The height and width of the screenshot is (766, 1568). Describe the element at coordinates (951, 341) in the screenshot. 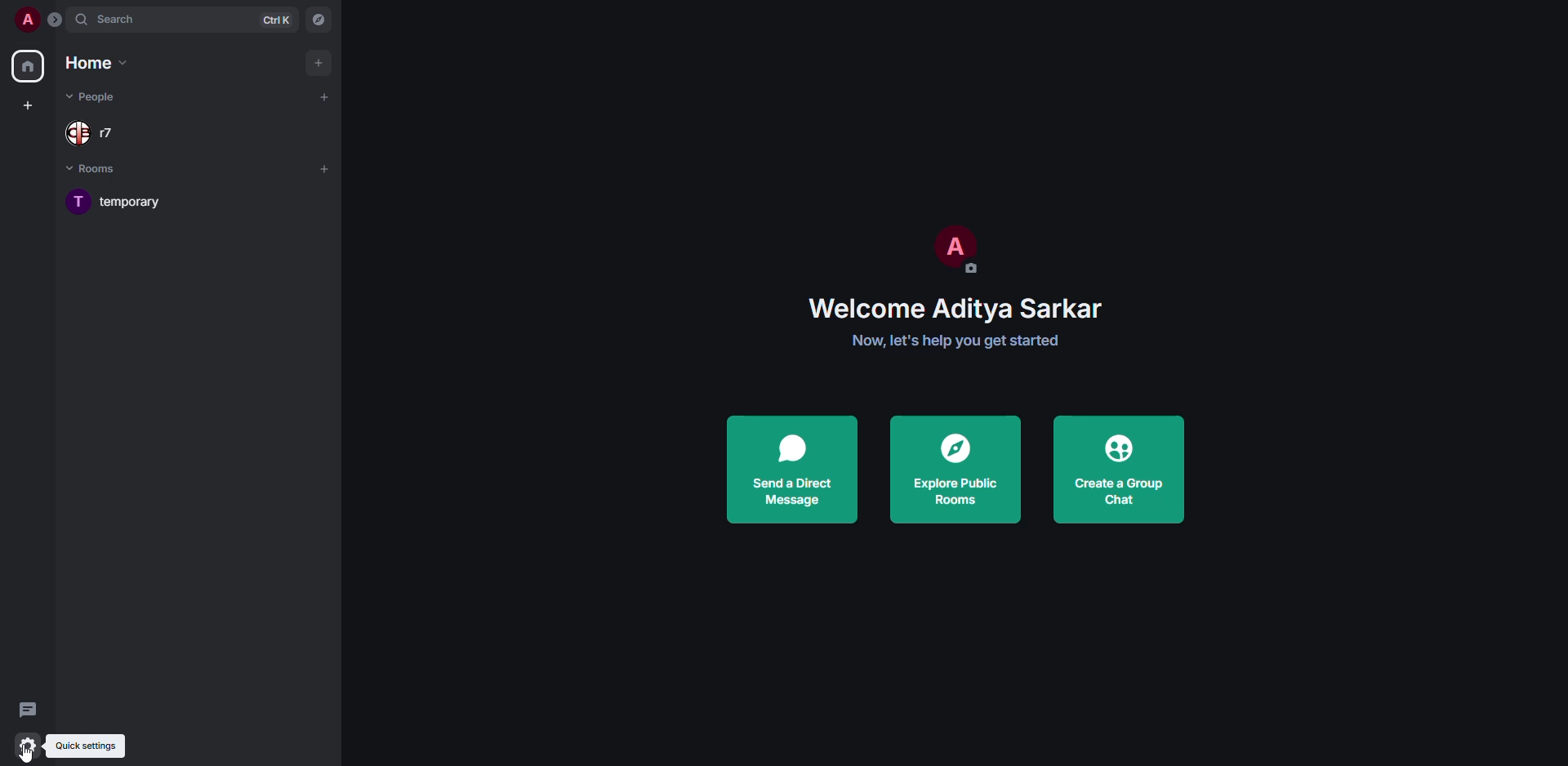

I see `get started` at that location.